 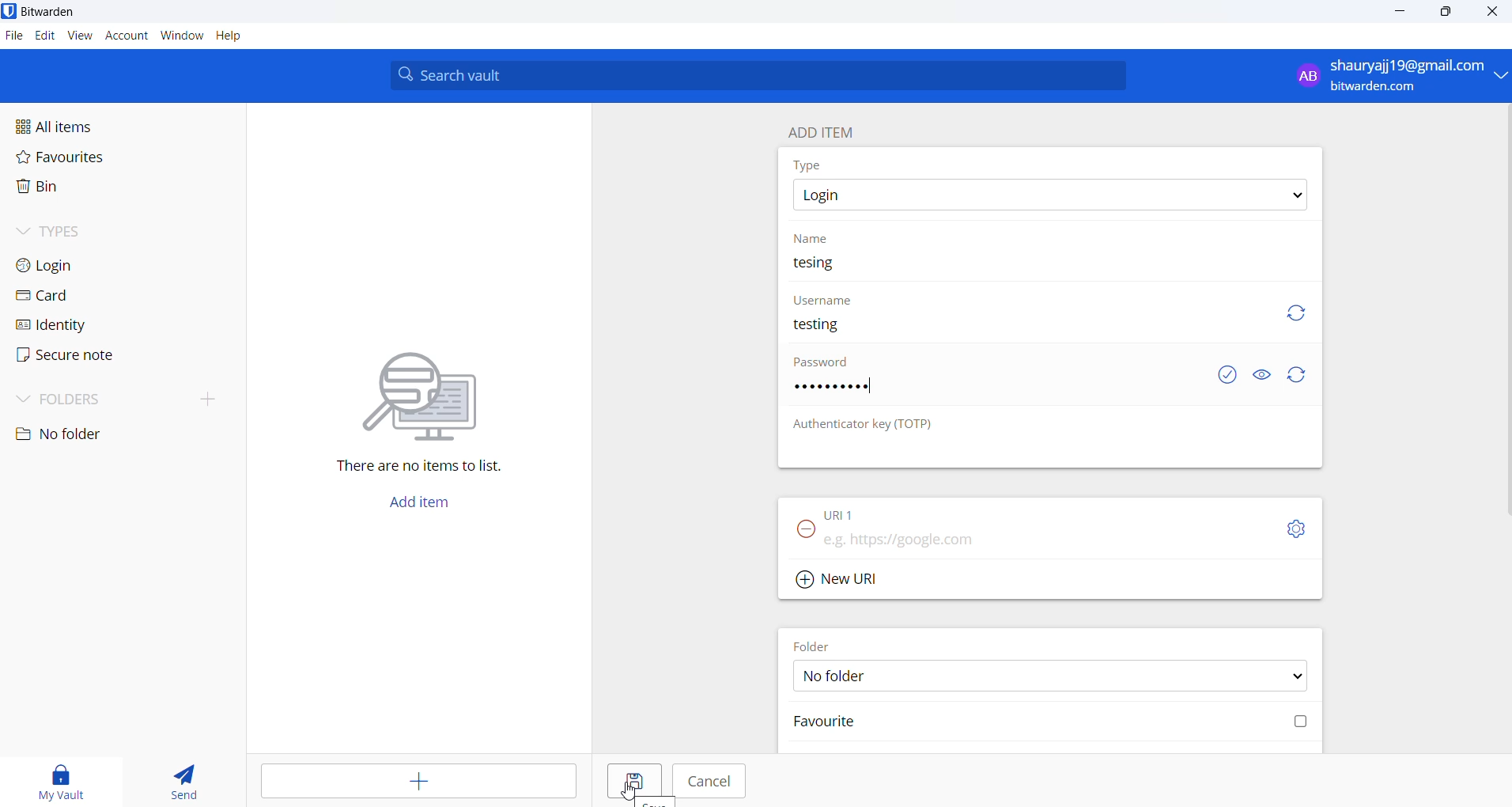 What do you see at coordinates (108, 434) in the screenshot?
I see `no folder` at bounding box center [108, 434].